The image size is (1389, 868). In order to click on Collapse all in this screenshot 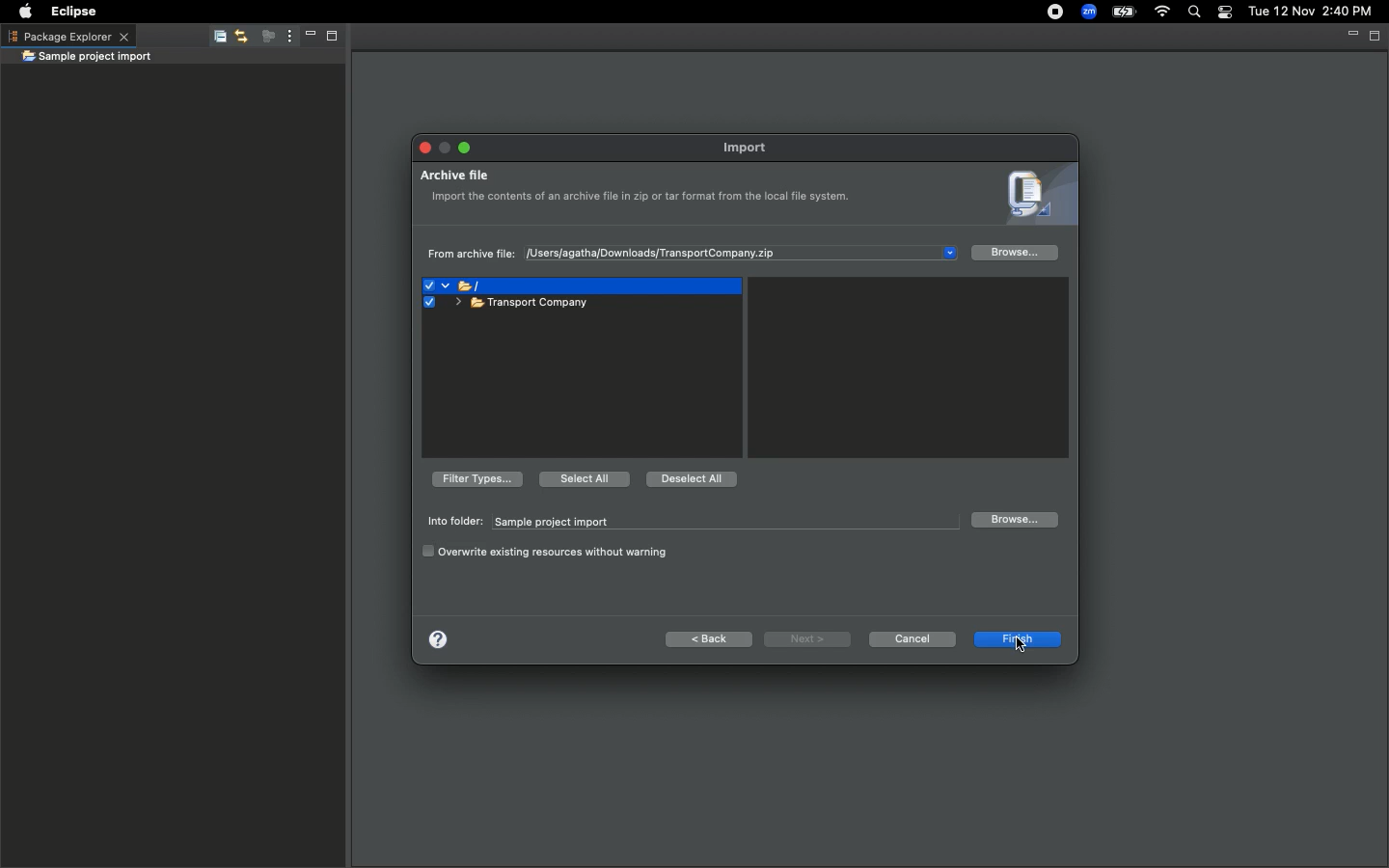, I will do `click(216, 40)`.